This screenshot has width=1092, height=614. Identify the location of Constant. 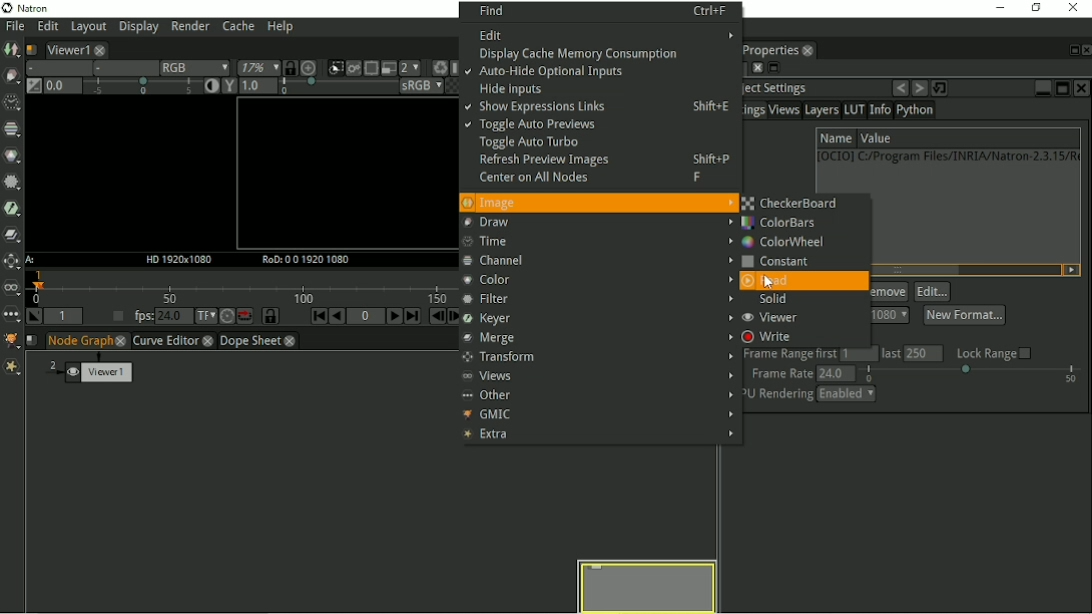
(778, 262).